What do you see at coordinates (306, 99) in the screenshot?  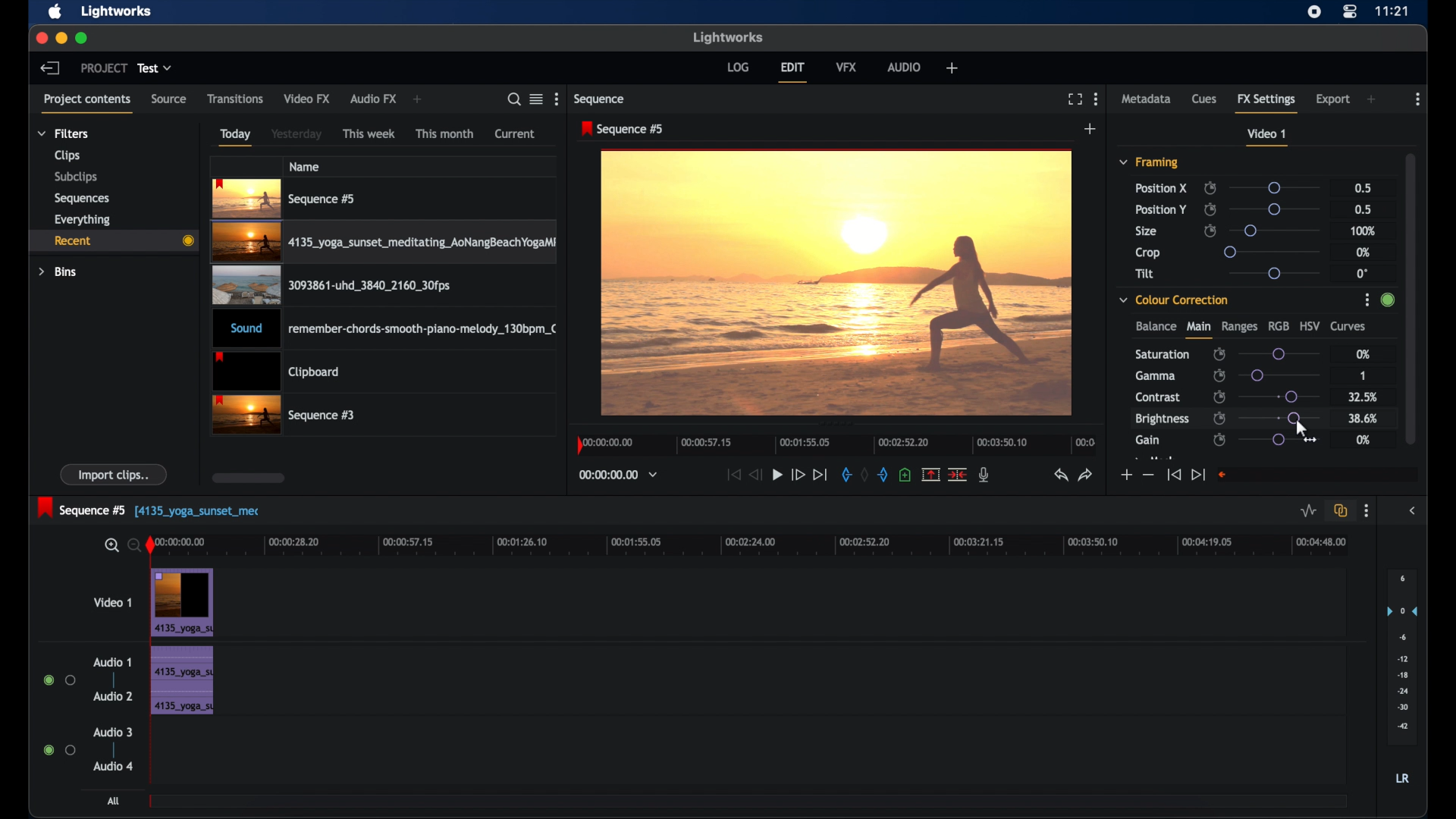 I see `video fx` at bounding box center [306, 99].